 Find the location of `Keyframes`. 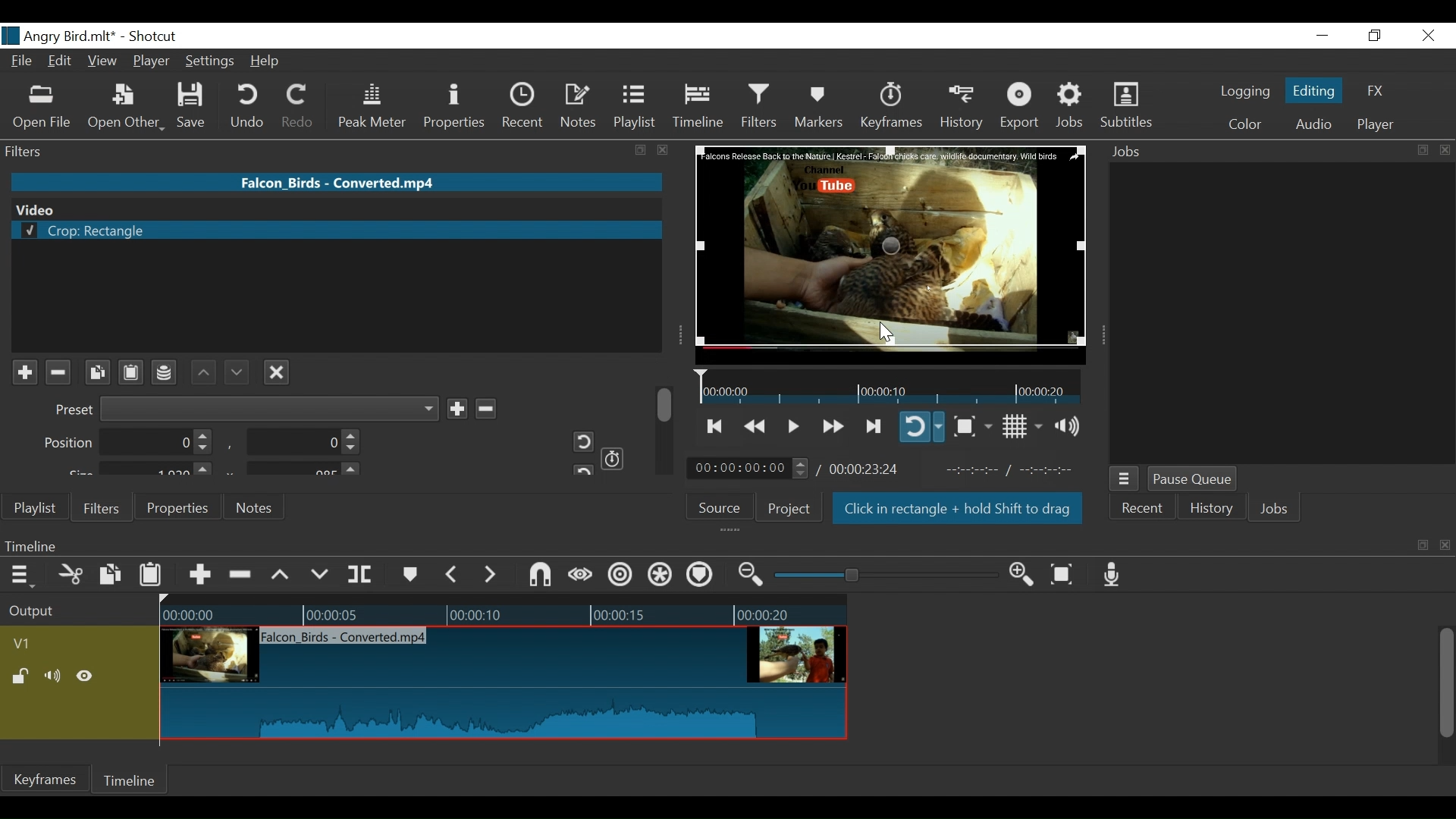

Keyframes is located at coordinates (45, 779).